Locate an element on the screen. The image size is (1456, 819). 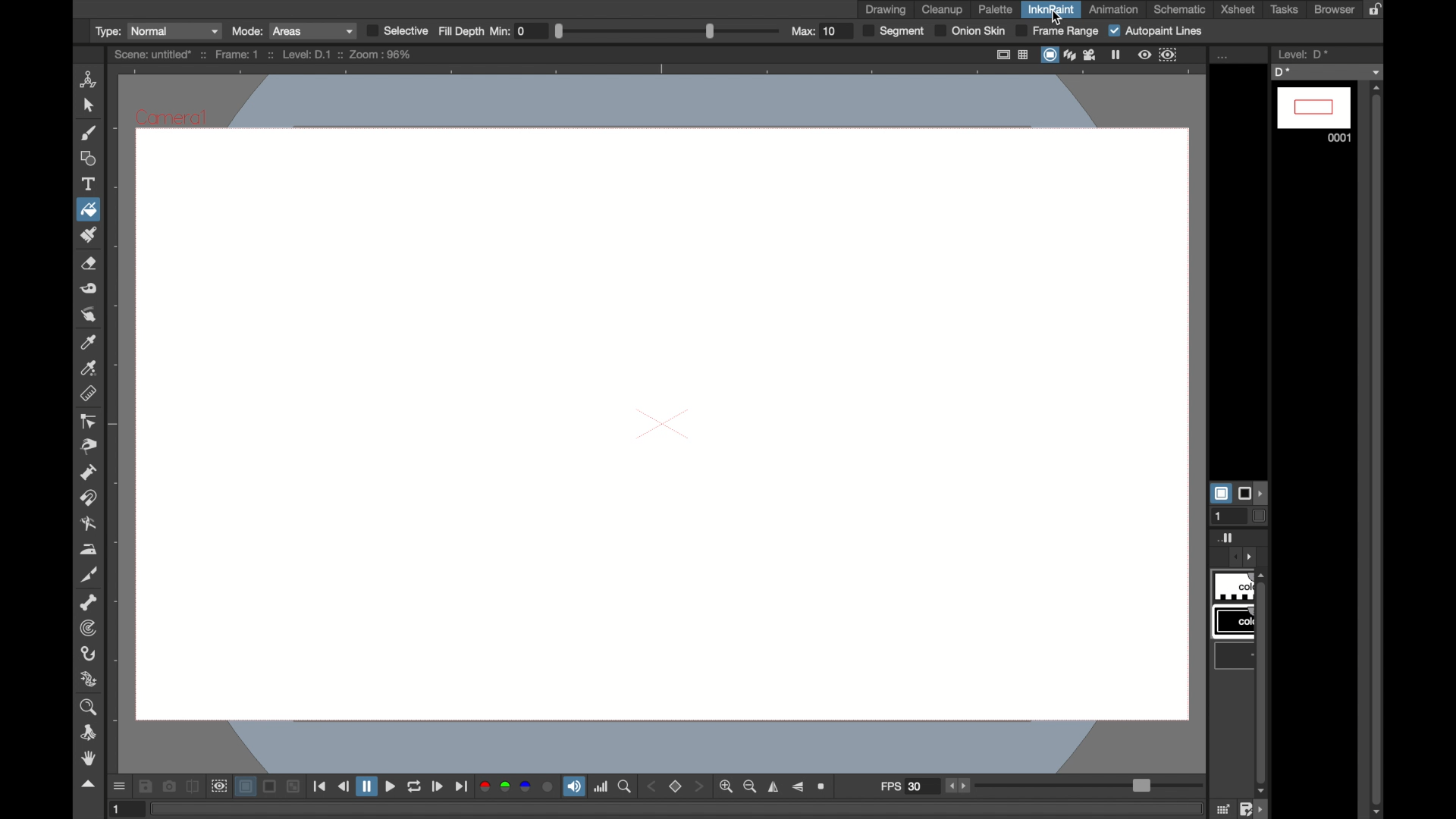
blender tool is located at coordinates (86, 524).